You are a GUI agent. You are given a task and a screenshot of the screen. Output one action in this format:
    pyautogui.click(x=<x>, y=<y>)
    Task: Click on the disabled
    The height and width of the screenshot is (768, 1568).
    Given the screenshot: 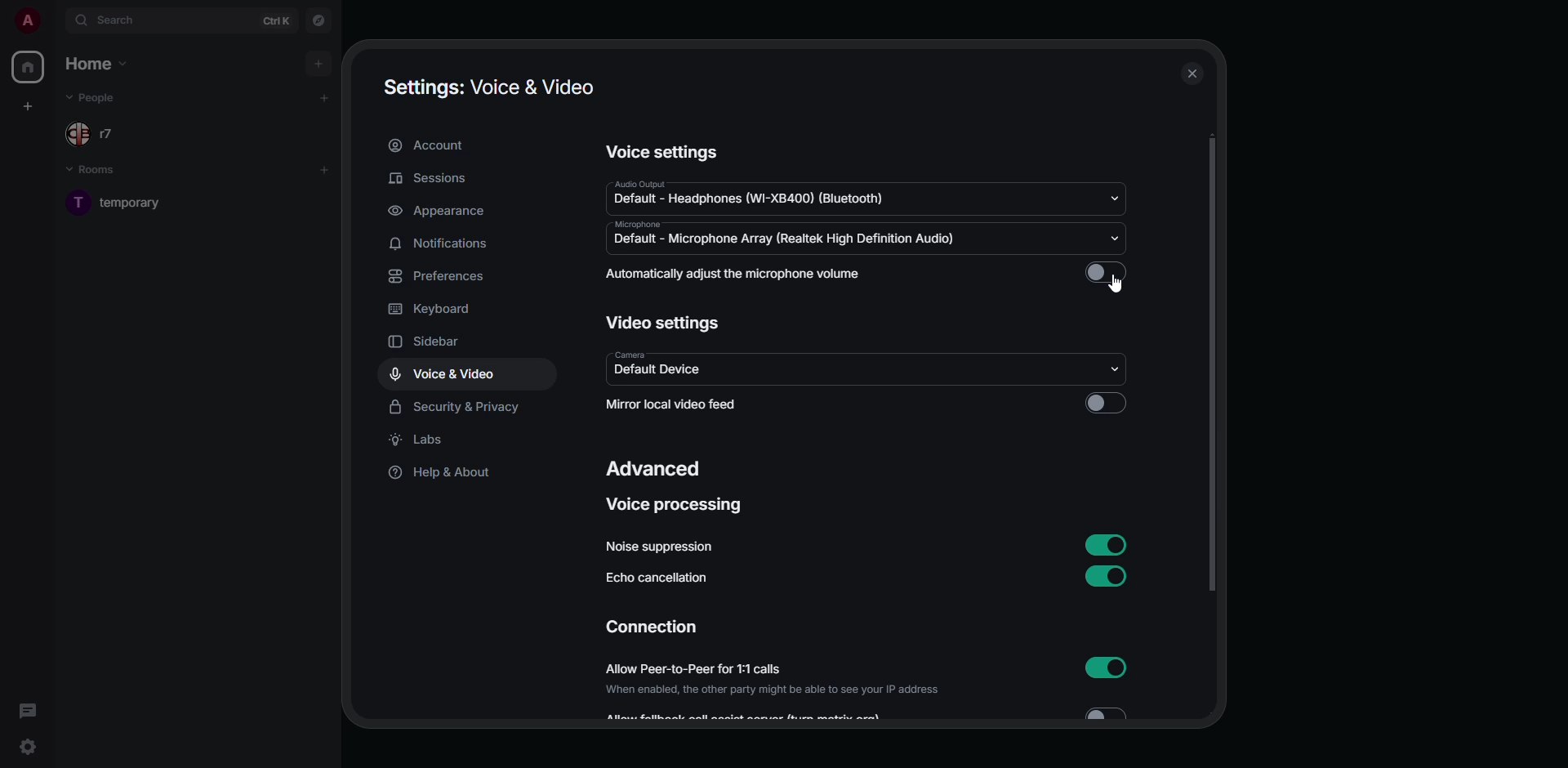 What is the action you would take?
    pyautogui.click(x=1105, y=274)
    